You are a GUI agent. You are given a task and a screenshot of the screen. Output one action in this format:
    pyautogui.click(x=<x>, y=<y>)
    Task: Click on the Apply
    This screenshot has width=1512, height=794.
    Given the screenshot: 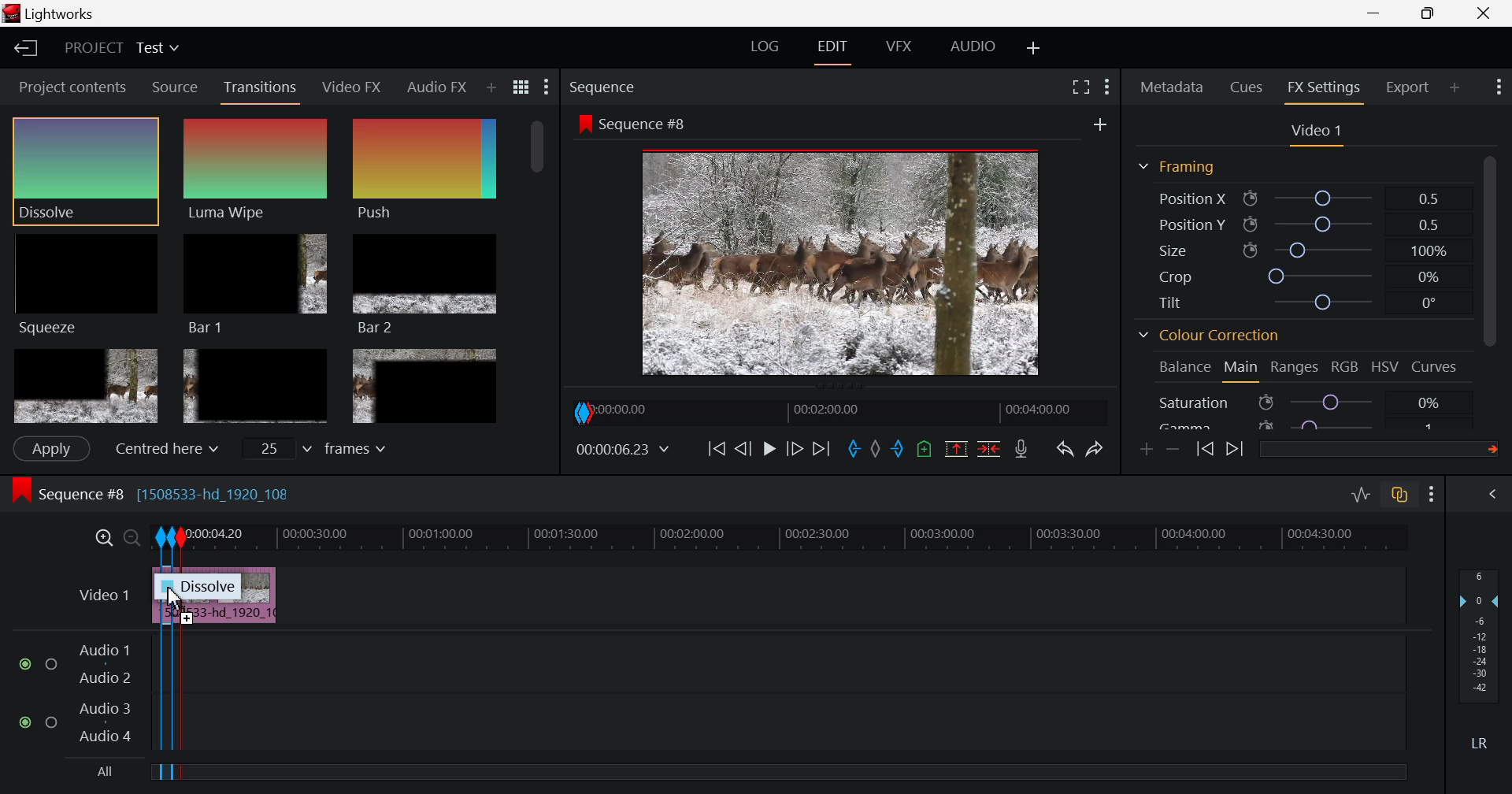 What is the action you would take?
    pyautogui.click(x=50, y=448)
    